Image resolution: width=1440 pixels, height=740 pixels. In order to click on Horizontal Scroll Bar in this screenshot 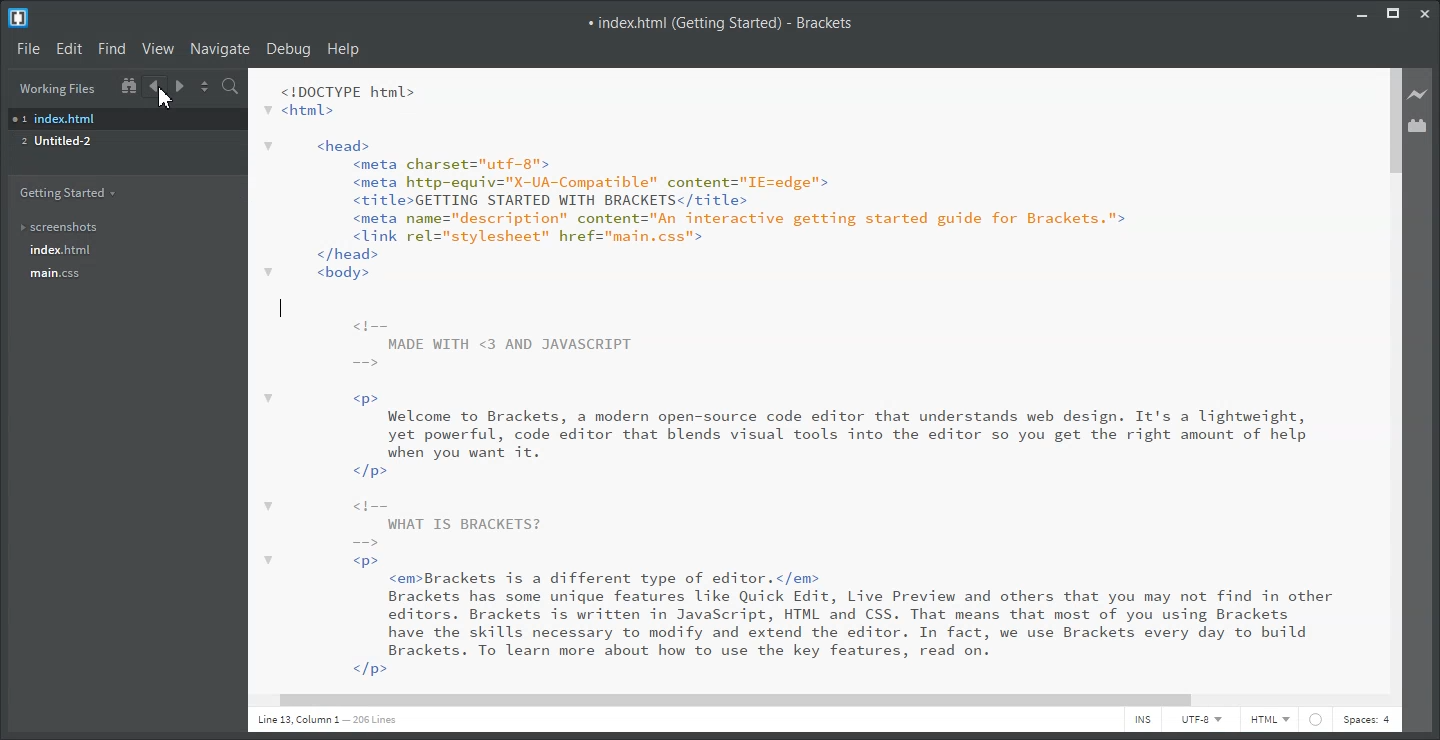, I will do `click(820, 699)`.